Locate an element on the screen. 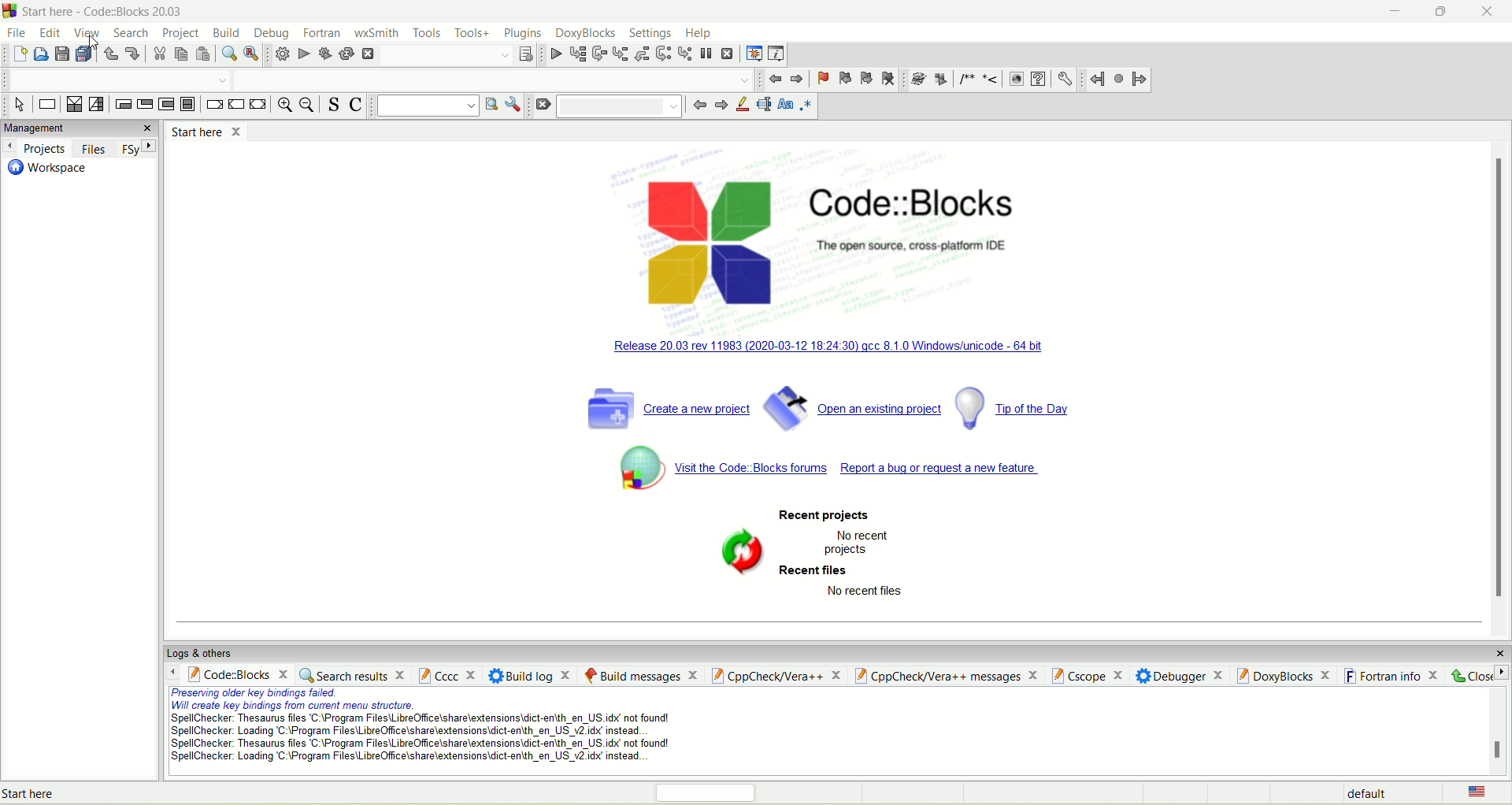  symbol is located at coordinates (742, 550).